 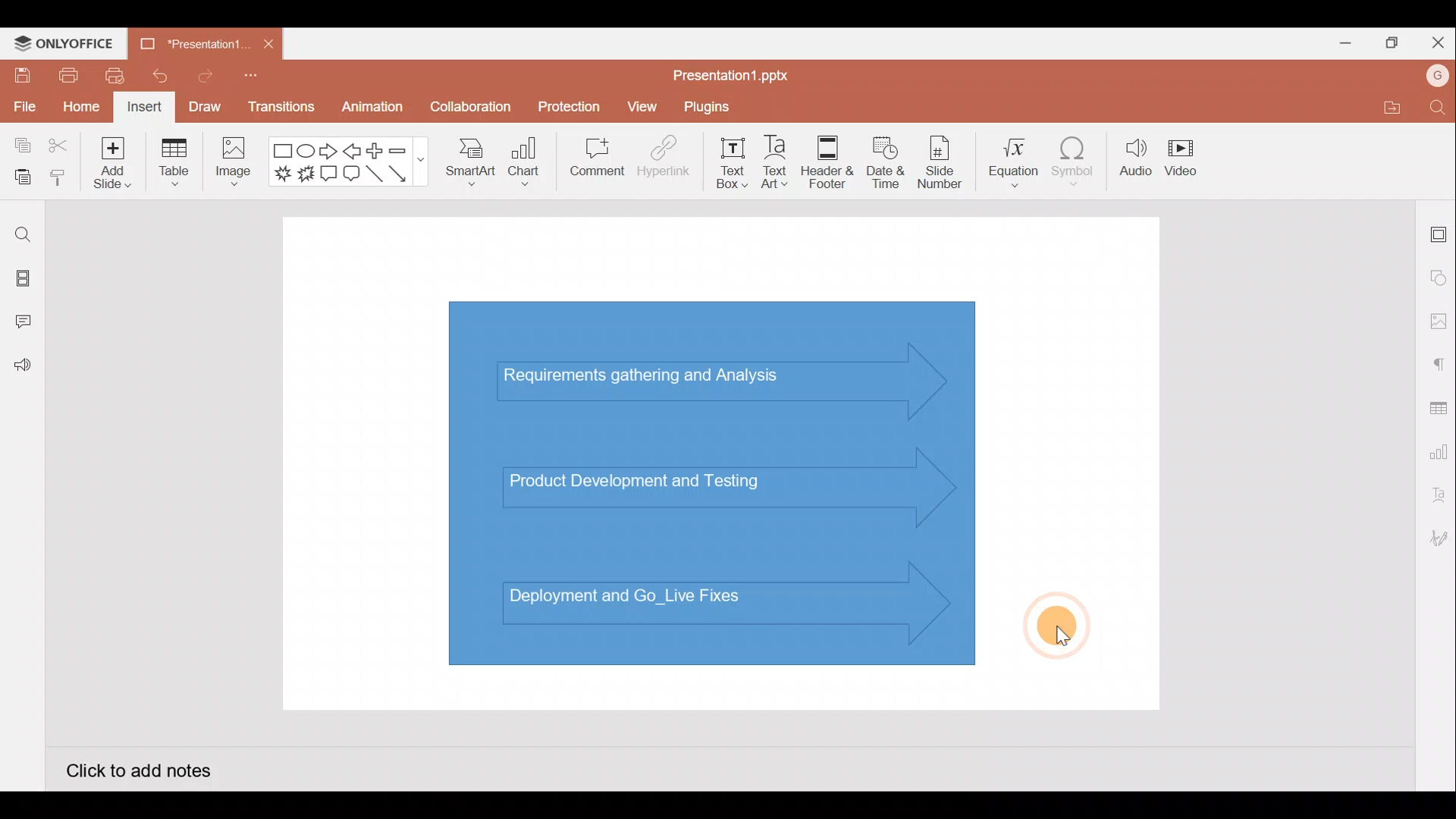 I want to click on Text Art, so click(x=781, y=158).